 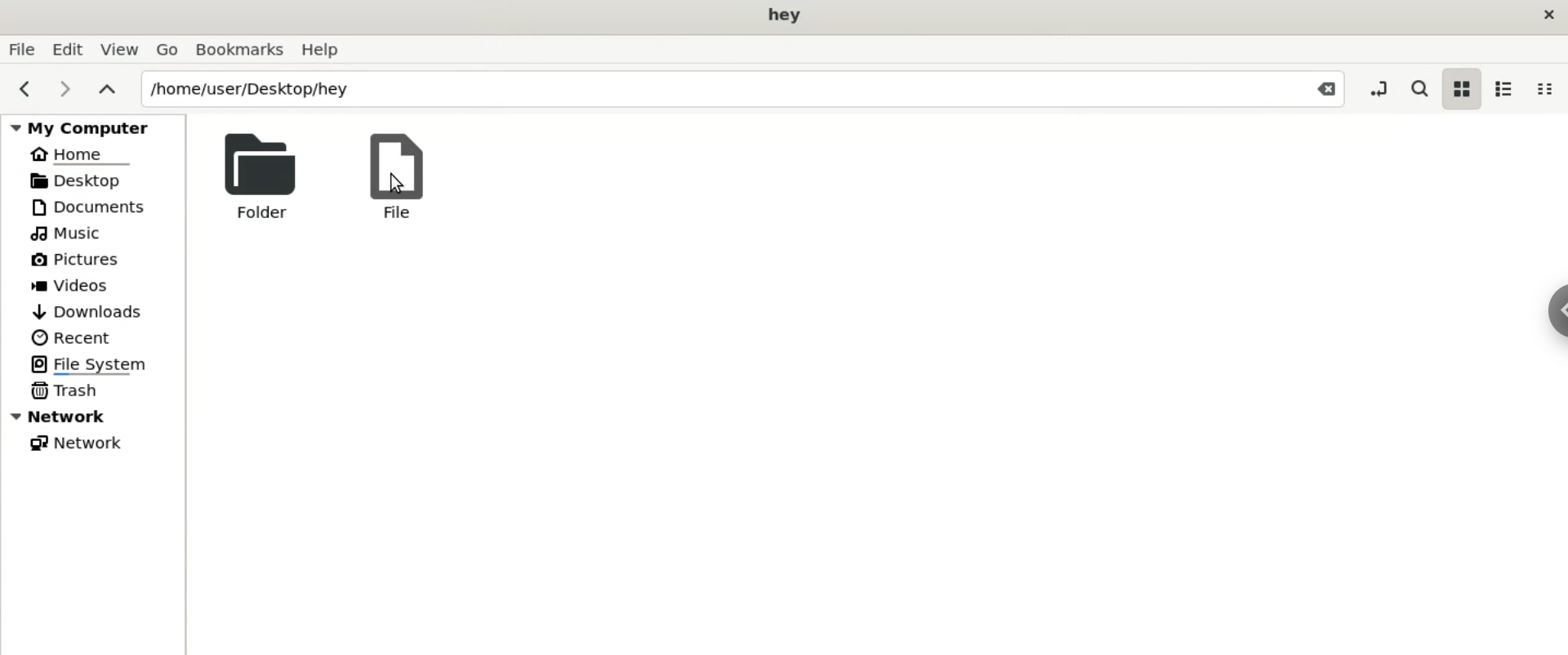 I want to click on list view, so click(x=1501, y=91).